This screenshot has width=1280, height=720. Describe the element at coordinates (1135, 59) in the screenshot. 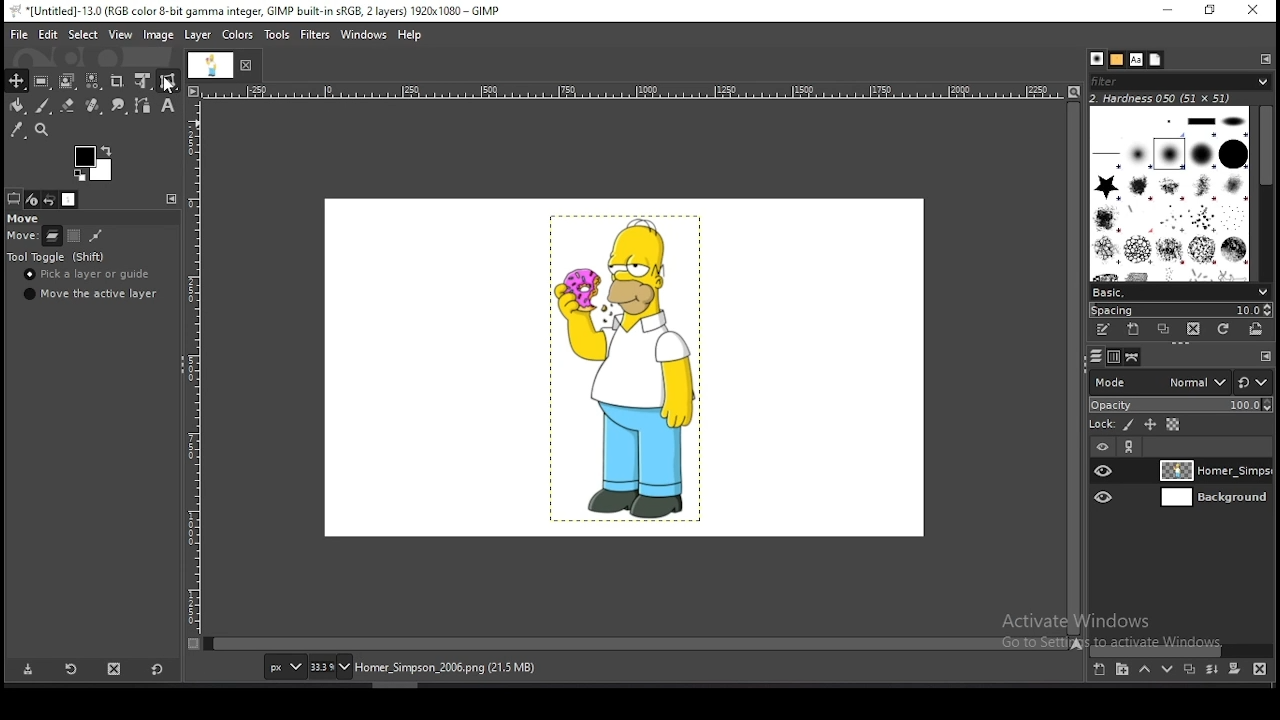

I see `fonts` at that location.